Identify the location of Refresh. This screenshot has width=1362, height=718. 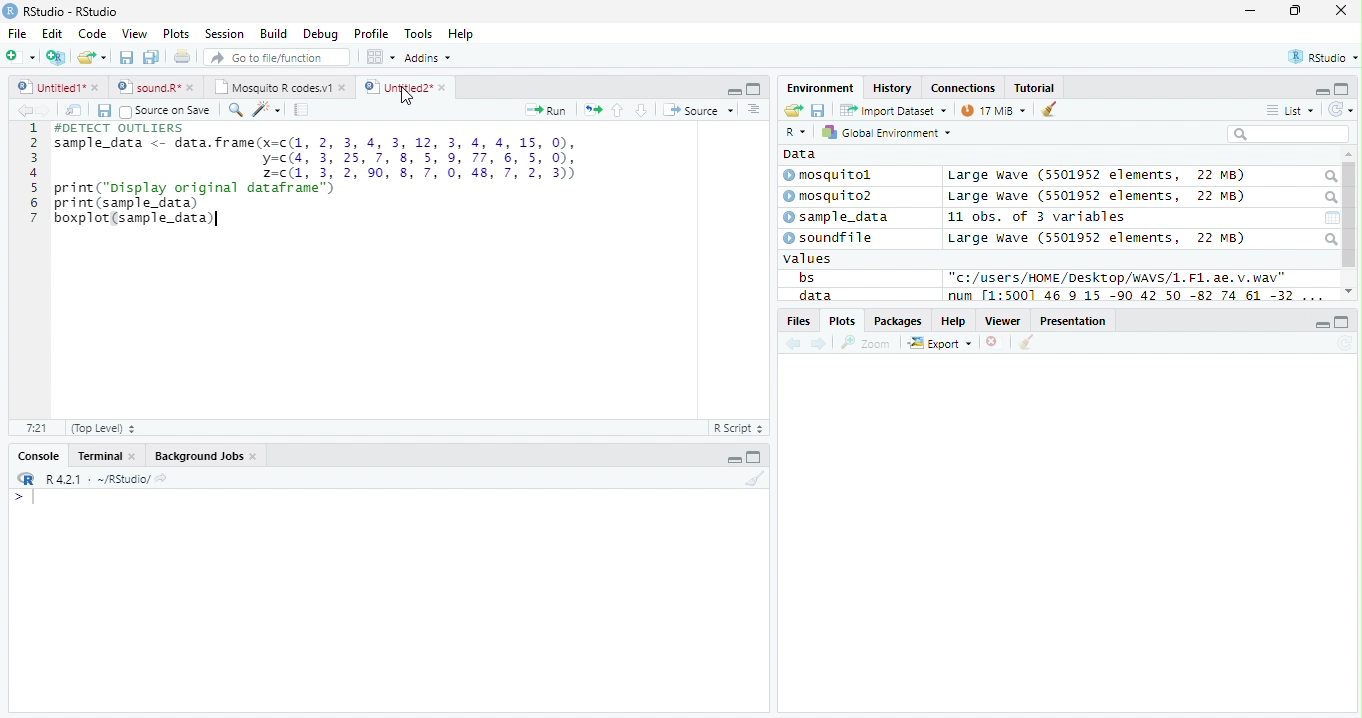
(1341, 110).